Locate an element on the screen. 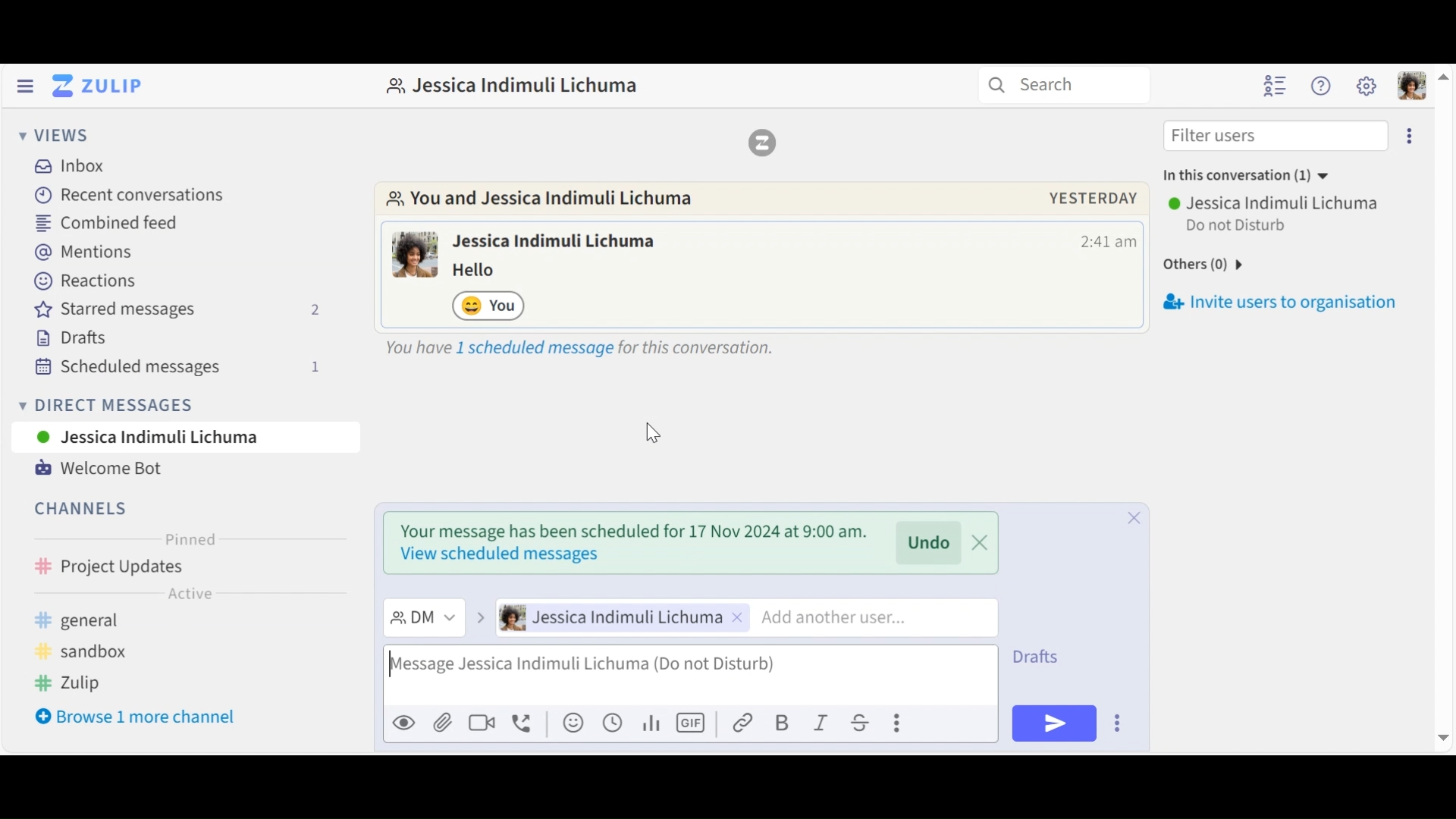  Time message sent is located at coordinates (1108, 242).